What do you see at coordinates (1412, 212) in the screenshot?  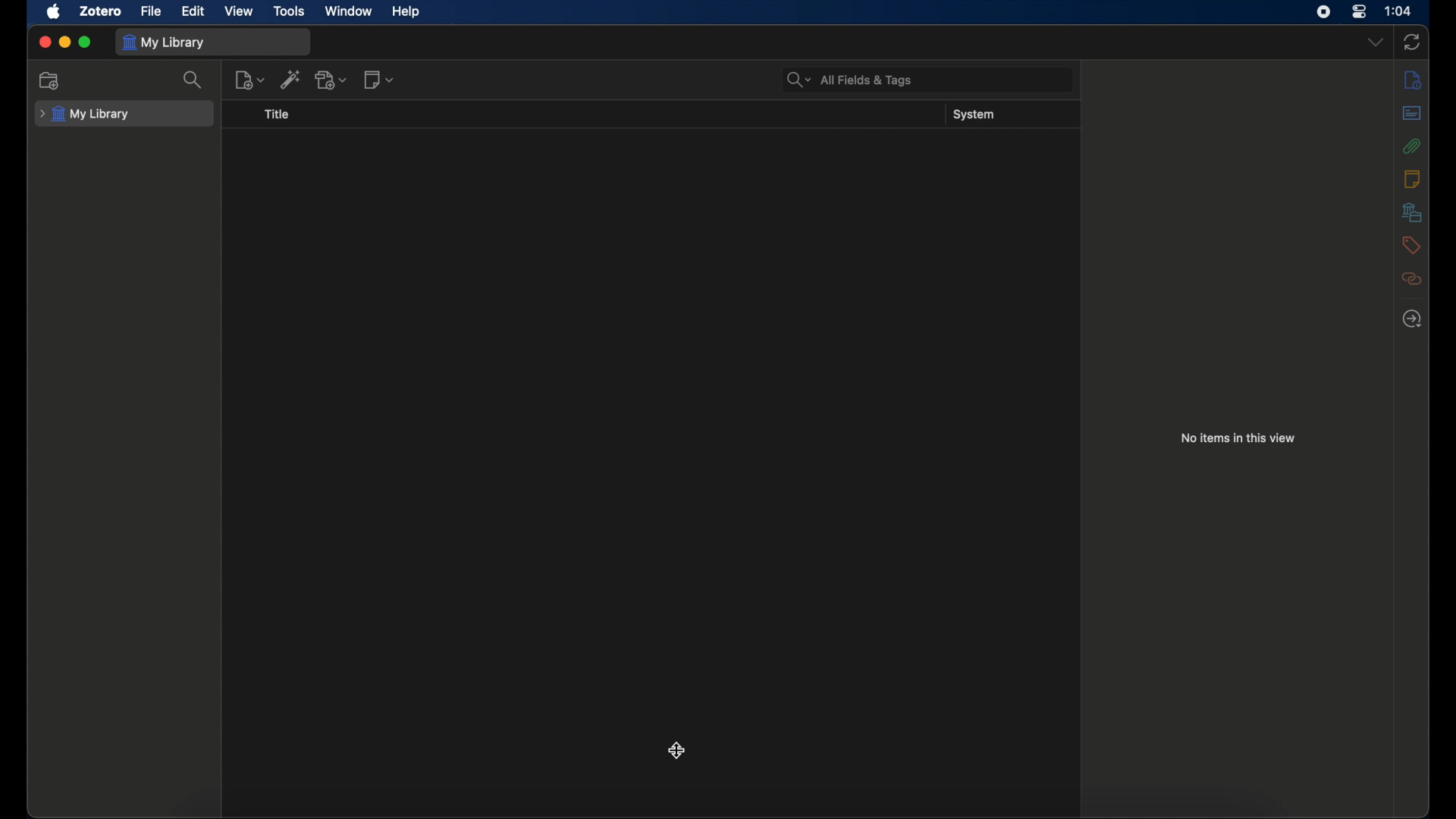 I see `libraries` at bounding box center [1412, 212].